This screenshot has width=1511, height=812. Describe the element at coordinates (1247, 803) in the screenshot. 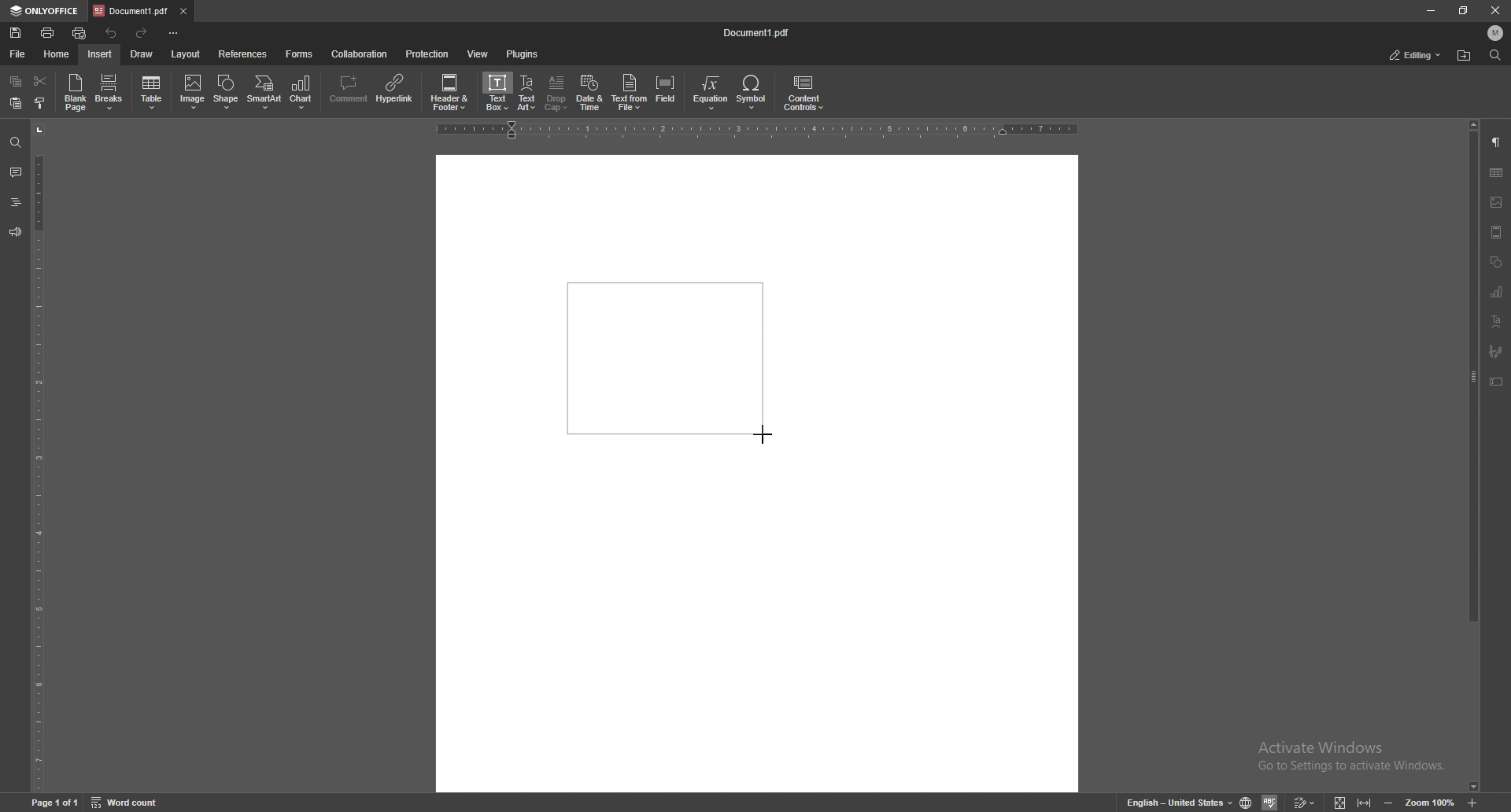

I see `set doc language` at that location.